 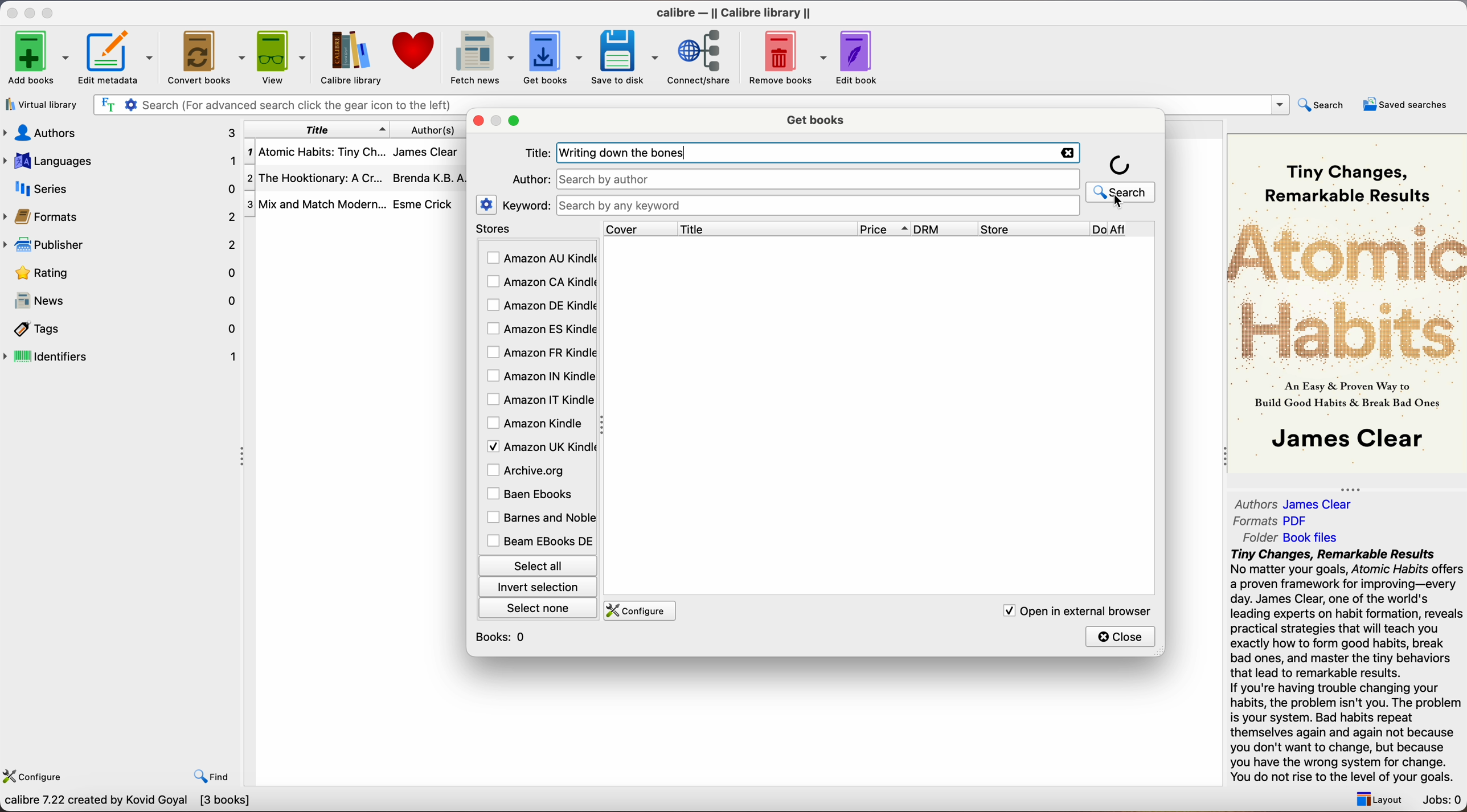 I want to click on barnes and noble, so click(x=538, y=518).